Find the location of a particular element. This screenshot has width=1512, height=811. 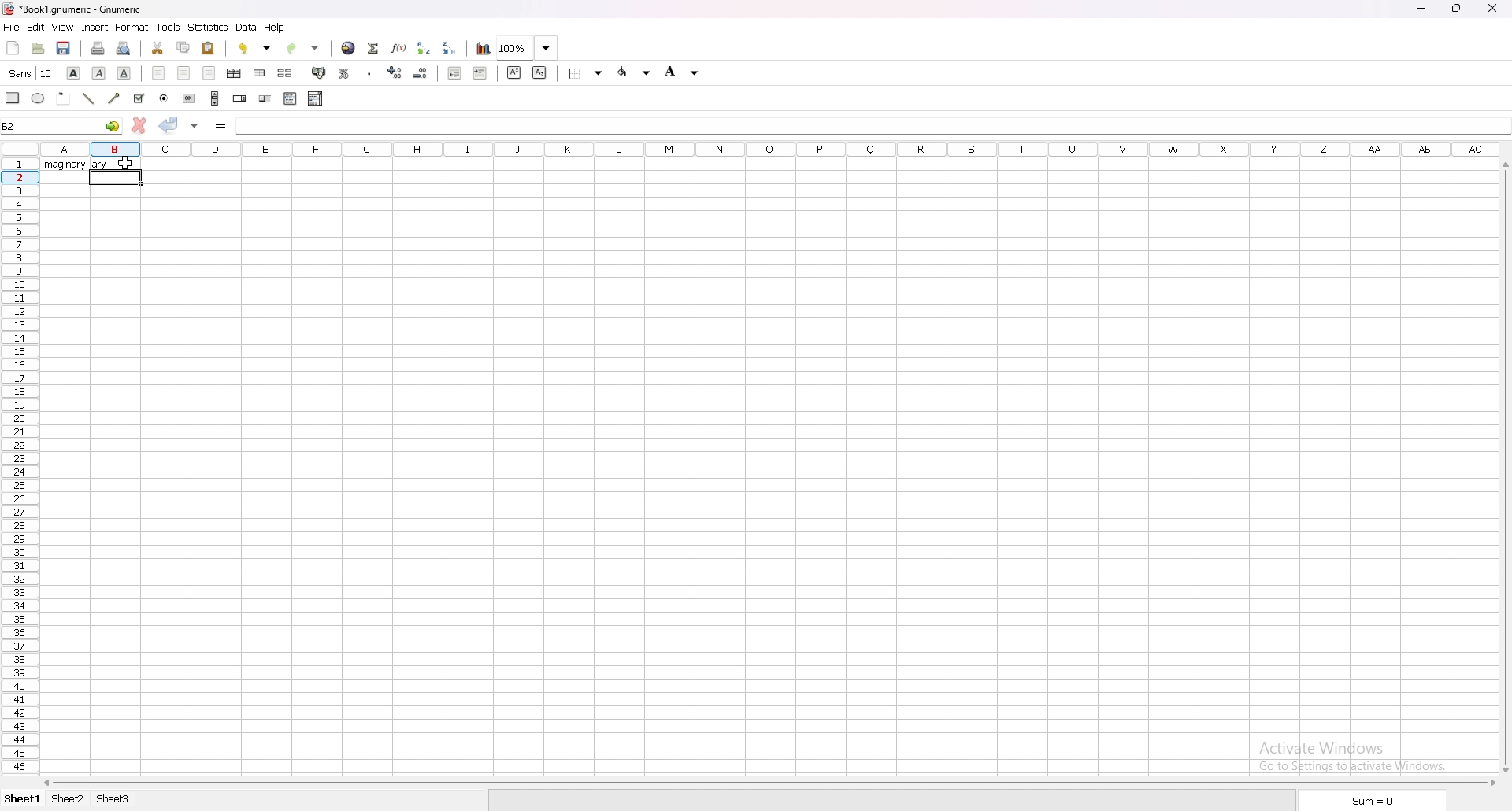

spin button is located at coordinates (239, 98).